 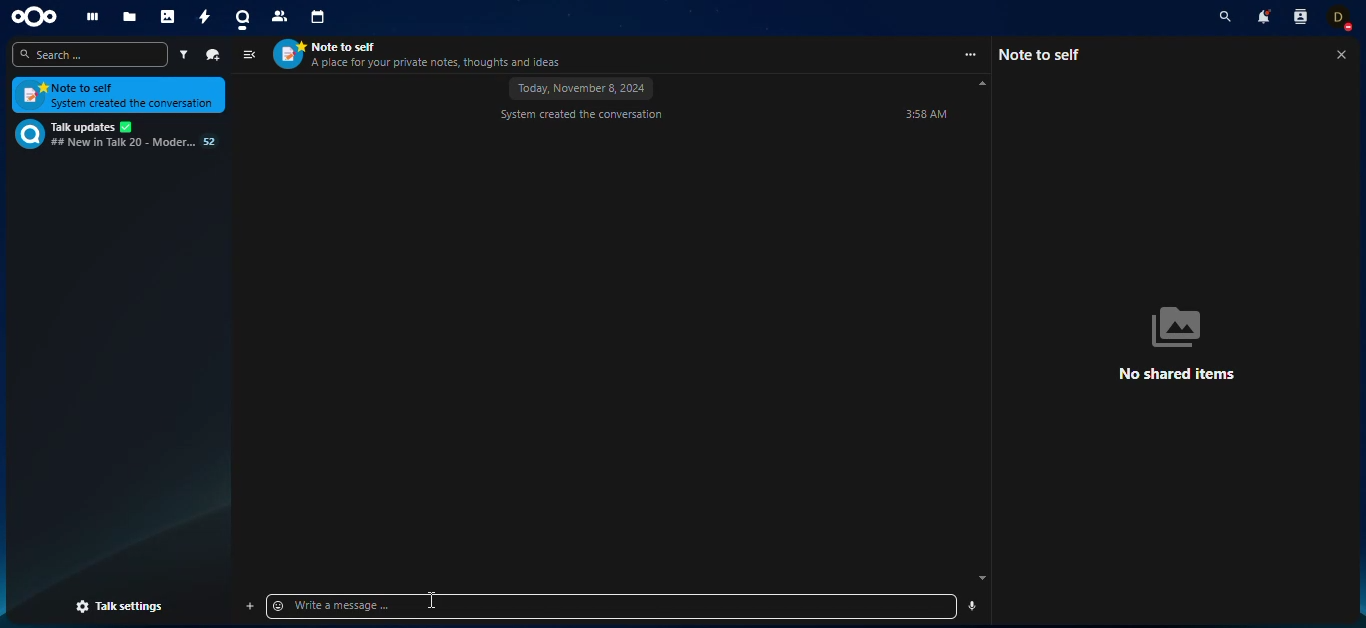 I want to click on chat, so click(x=115, y=134).